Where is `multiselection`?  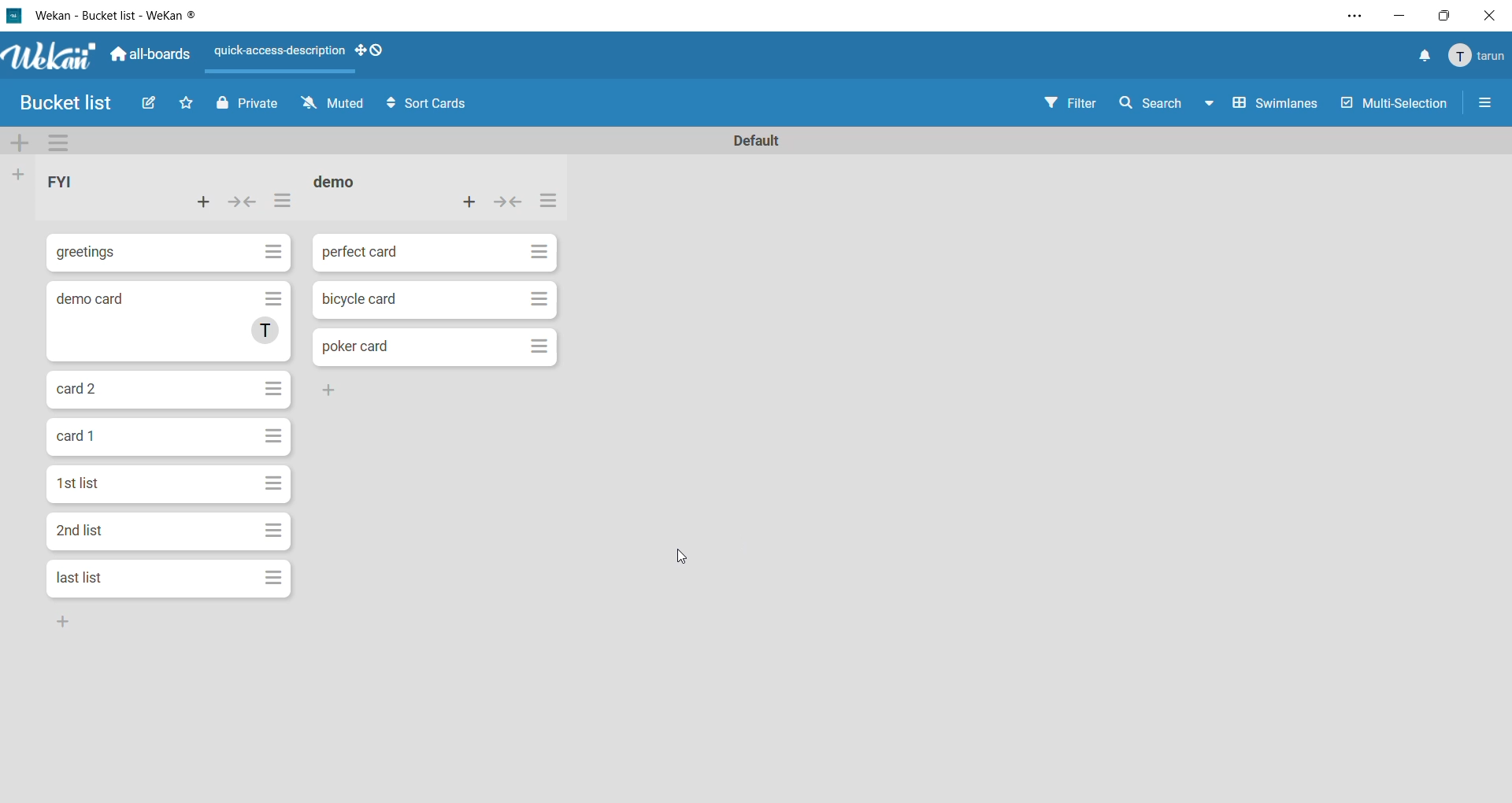
multiselection is located at coordinates (1394, 105).